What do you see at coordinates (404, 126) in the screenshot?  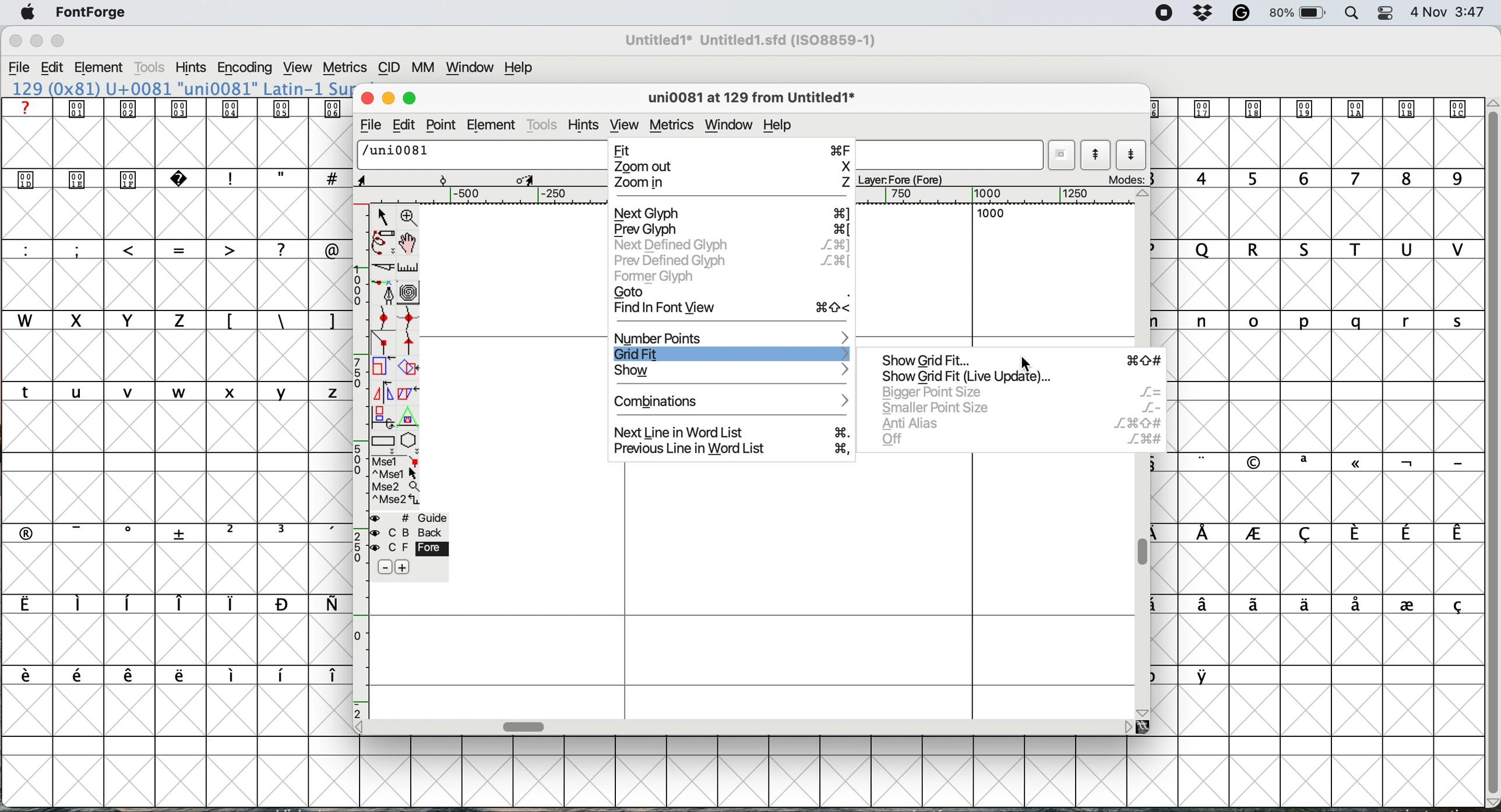 I see `edit` at bounding box center [404, 126].